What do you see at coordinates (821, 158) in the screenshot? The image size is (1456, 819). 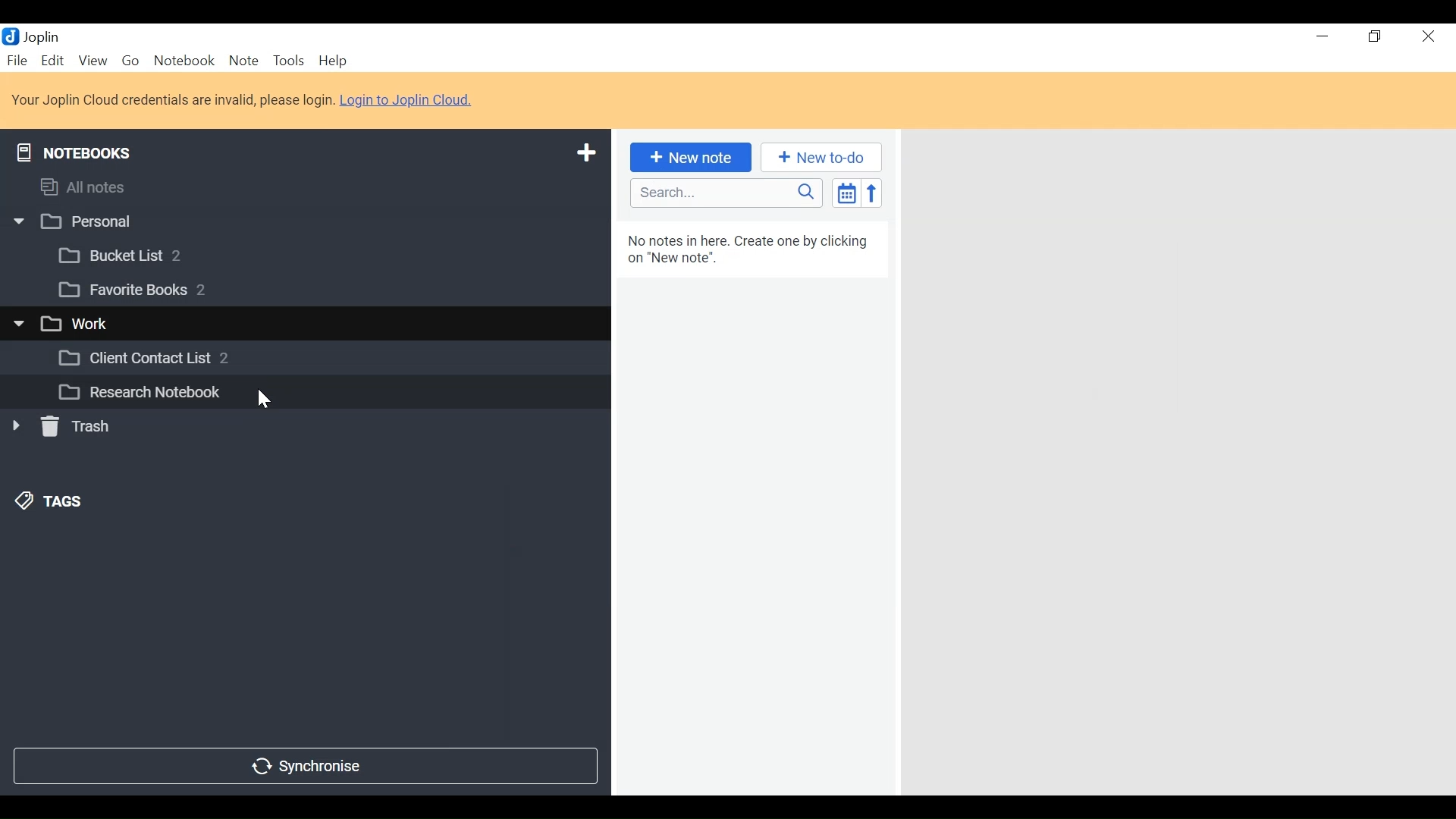 I see `Add New to Do` at bounding box center [821, 158].